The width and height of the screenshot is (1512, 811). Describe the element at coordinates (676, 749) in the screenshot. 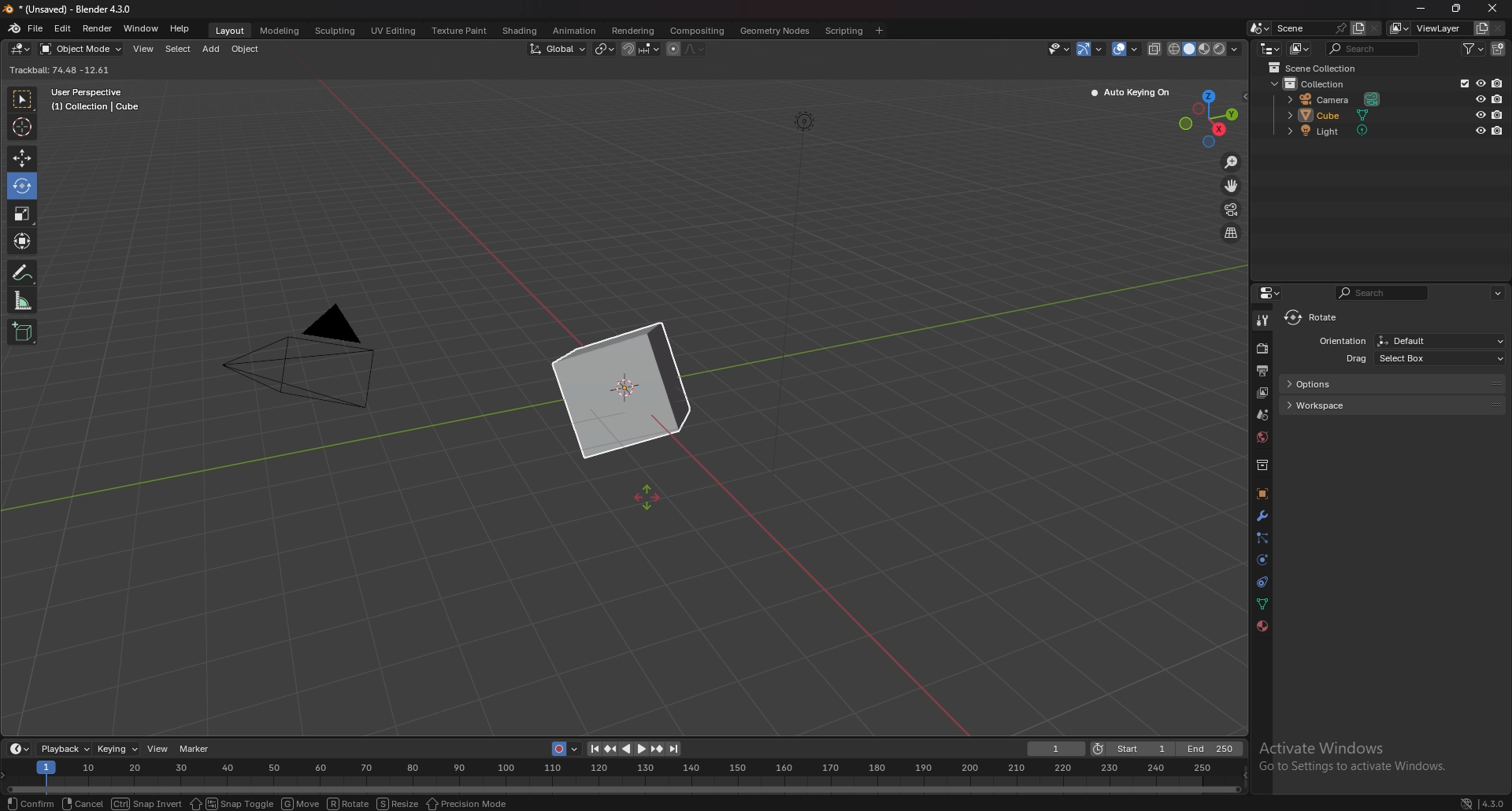

I see `jump to endpoint` at that location.